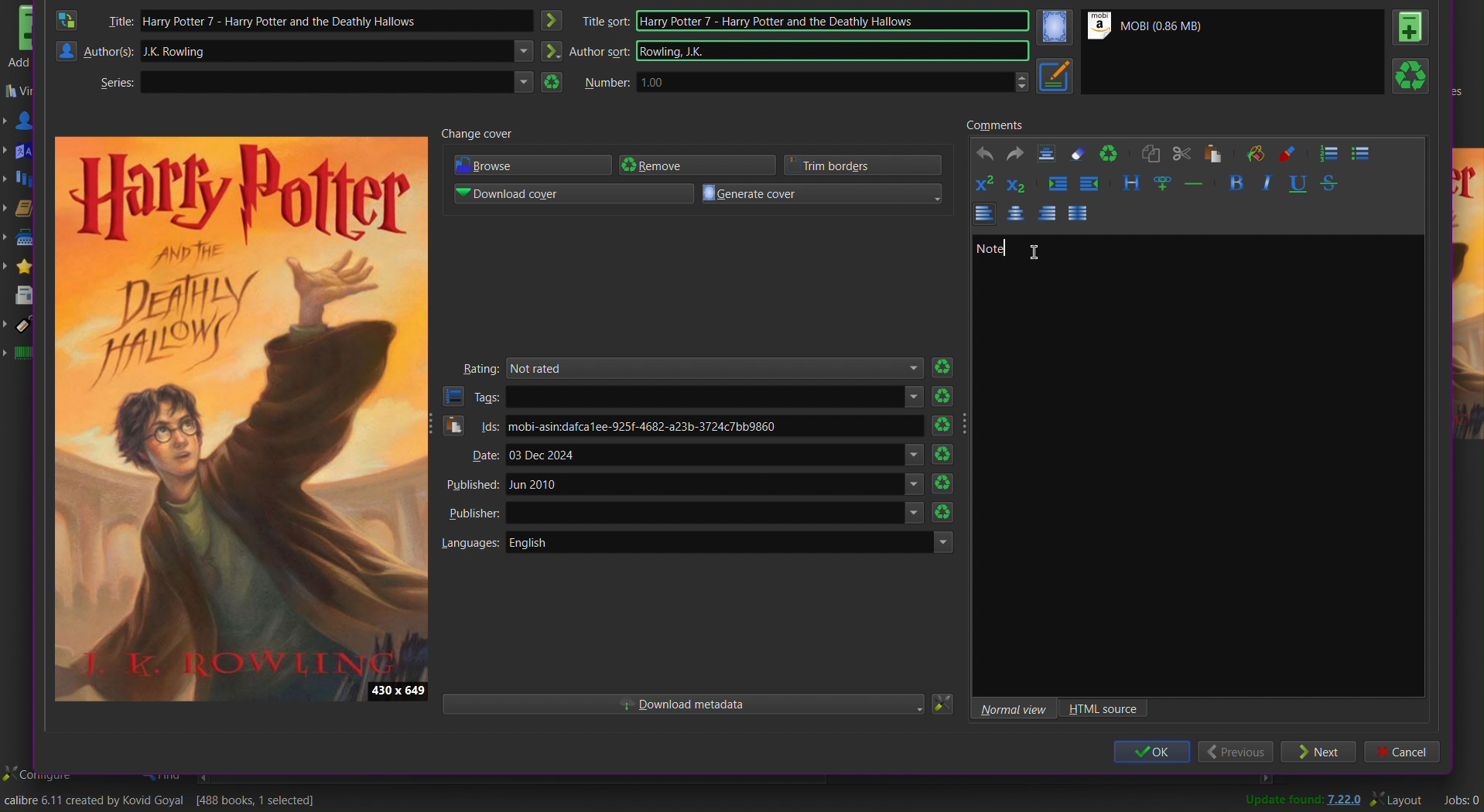  Describe the element at coordinates (1319, 752) in the screenshot. I see `Next` at that location.